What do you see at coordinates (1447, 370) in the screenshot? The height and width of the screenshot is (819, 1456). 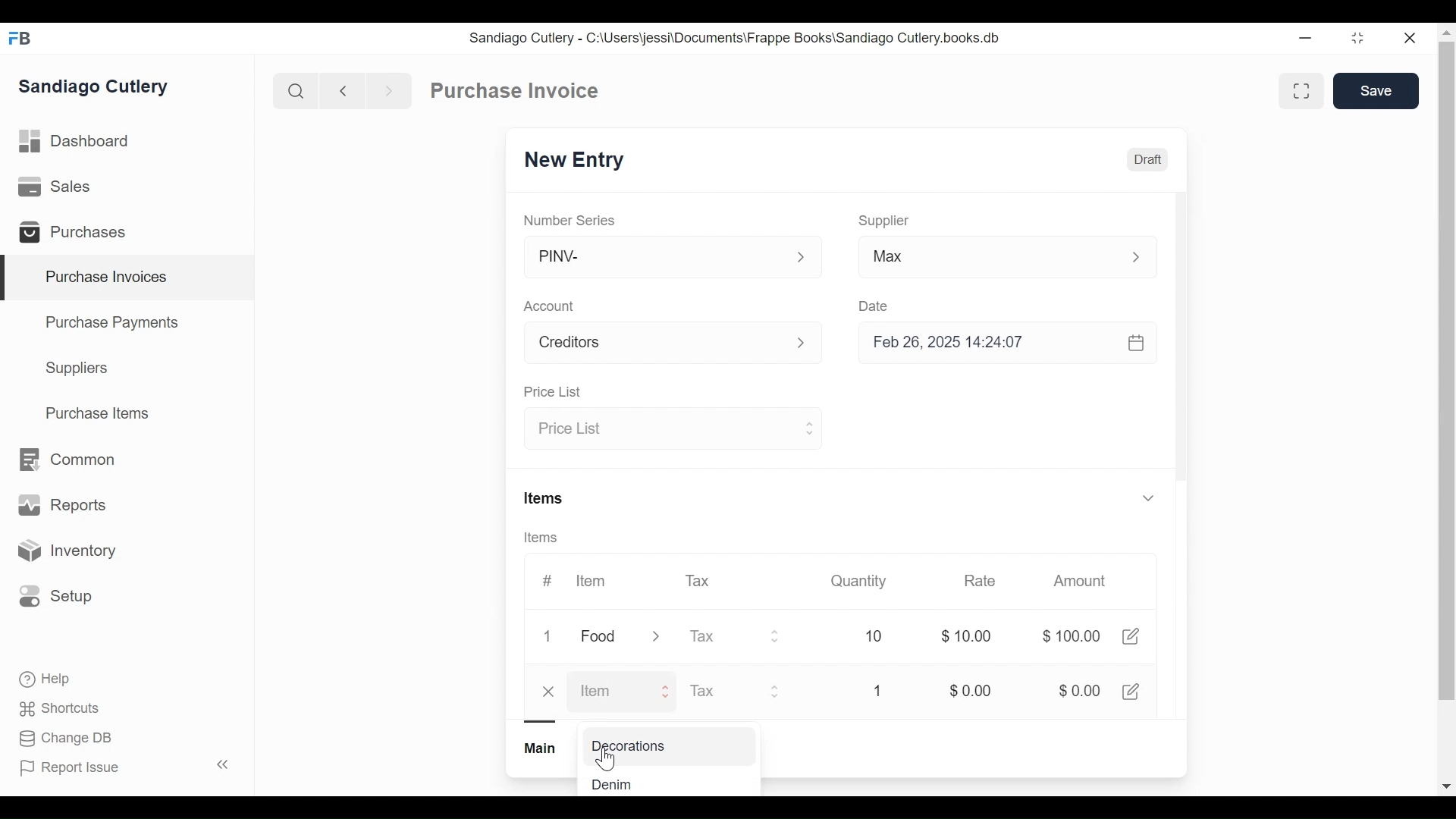 I see `Vertical Scroll bar` at bounding box center [1447, 370].